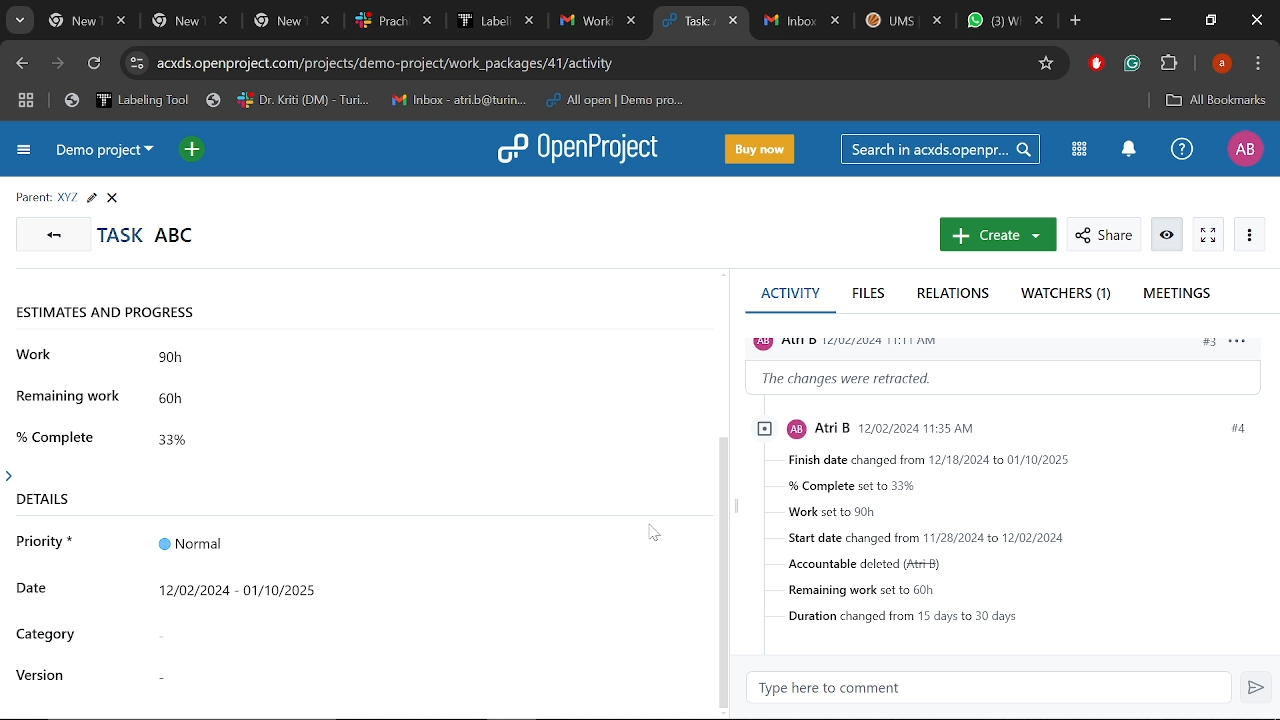 The height and width of the screenshot is (720, 1280). What do you see at coordinates (1077, 23) in the screenshot?
I see `Add new tab` at bounding box center [1077, 23].